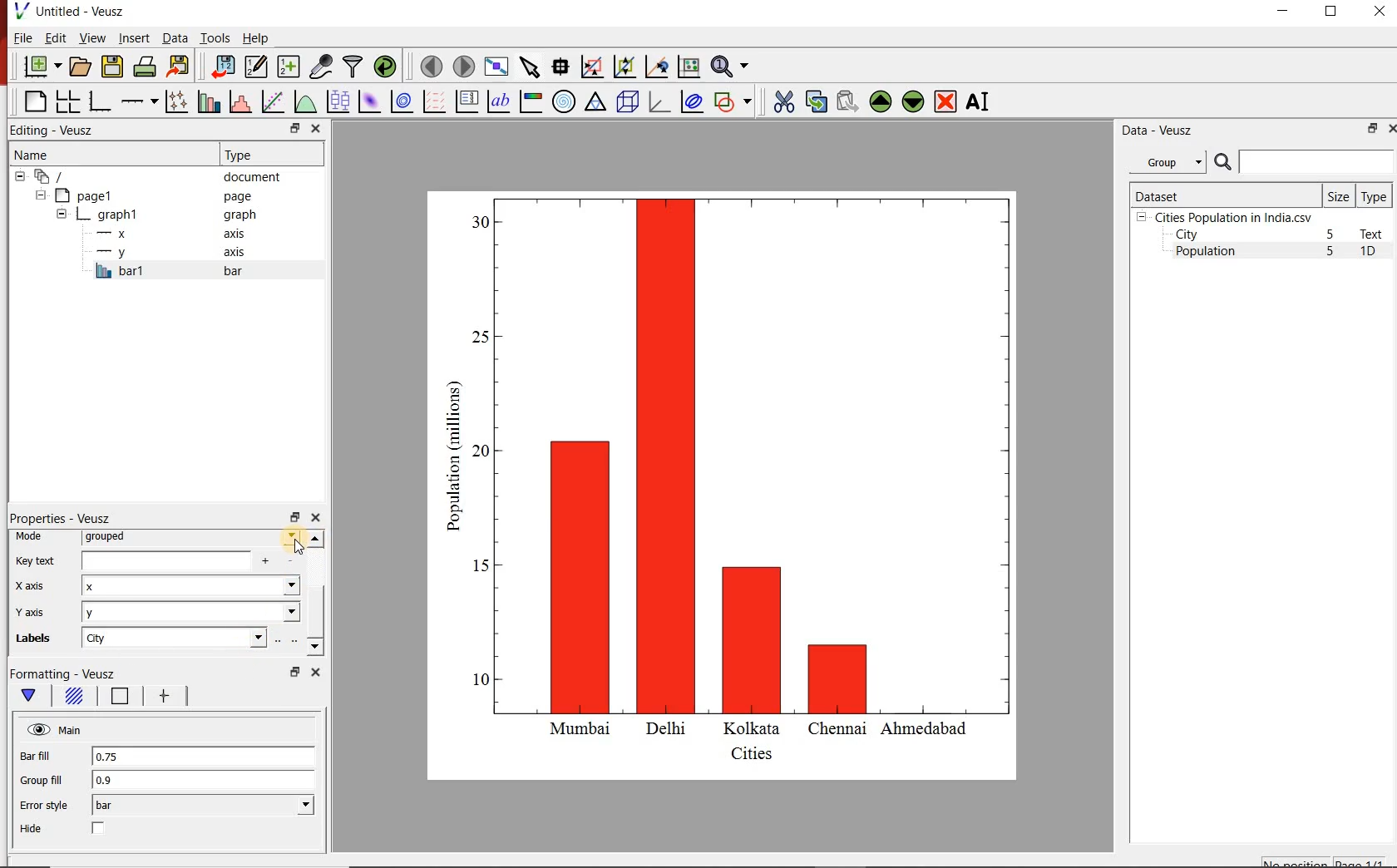  Describe the element at coordinates (153, 175) in the screenshot. I see `document` at that location.